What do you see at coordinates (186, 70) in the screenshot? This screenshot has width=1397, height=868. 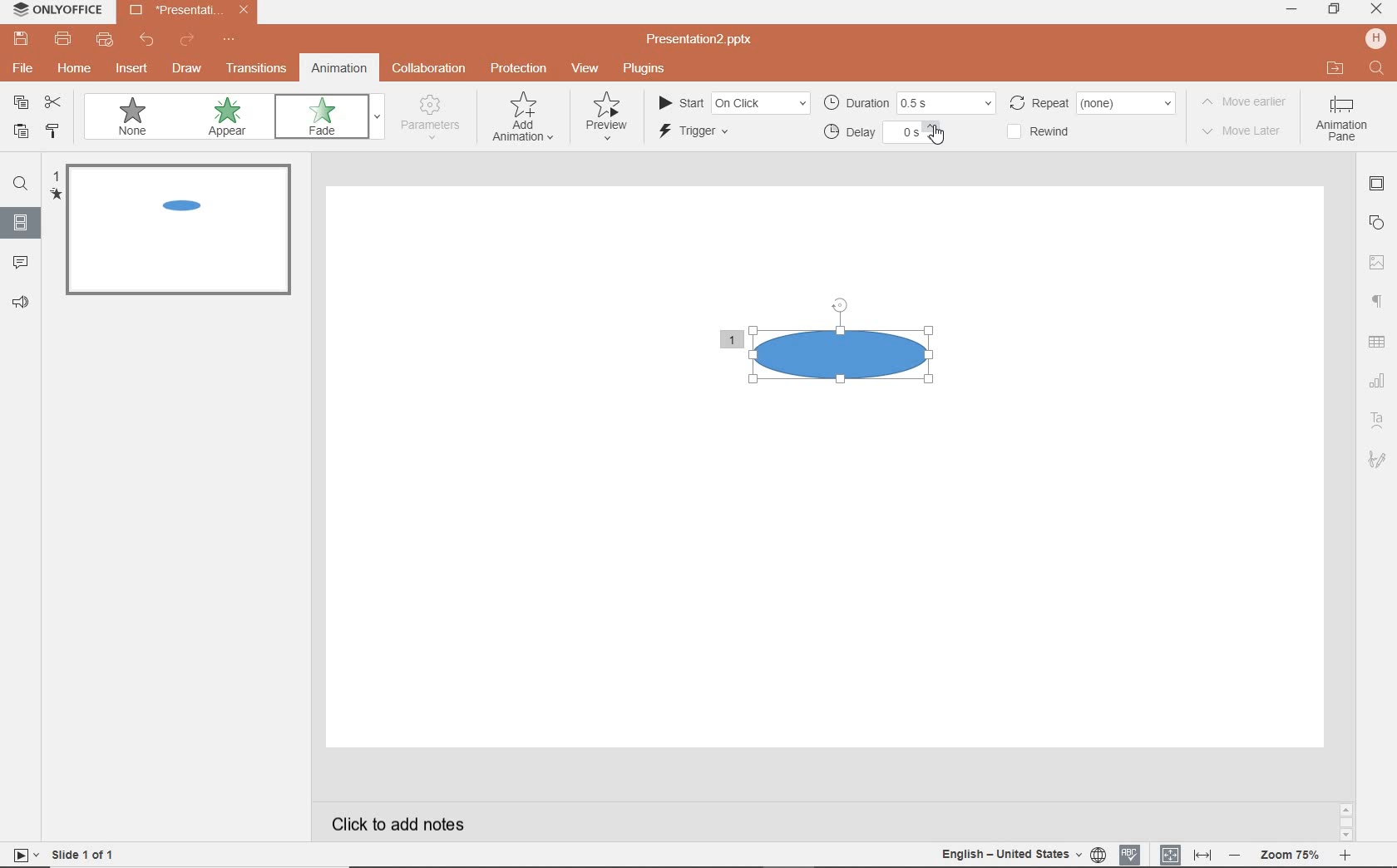 I see `draw` at bounding box center [186, 70].